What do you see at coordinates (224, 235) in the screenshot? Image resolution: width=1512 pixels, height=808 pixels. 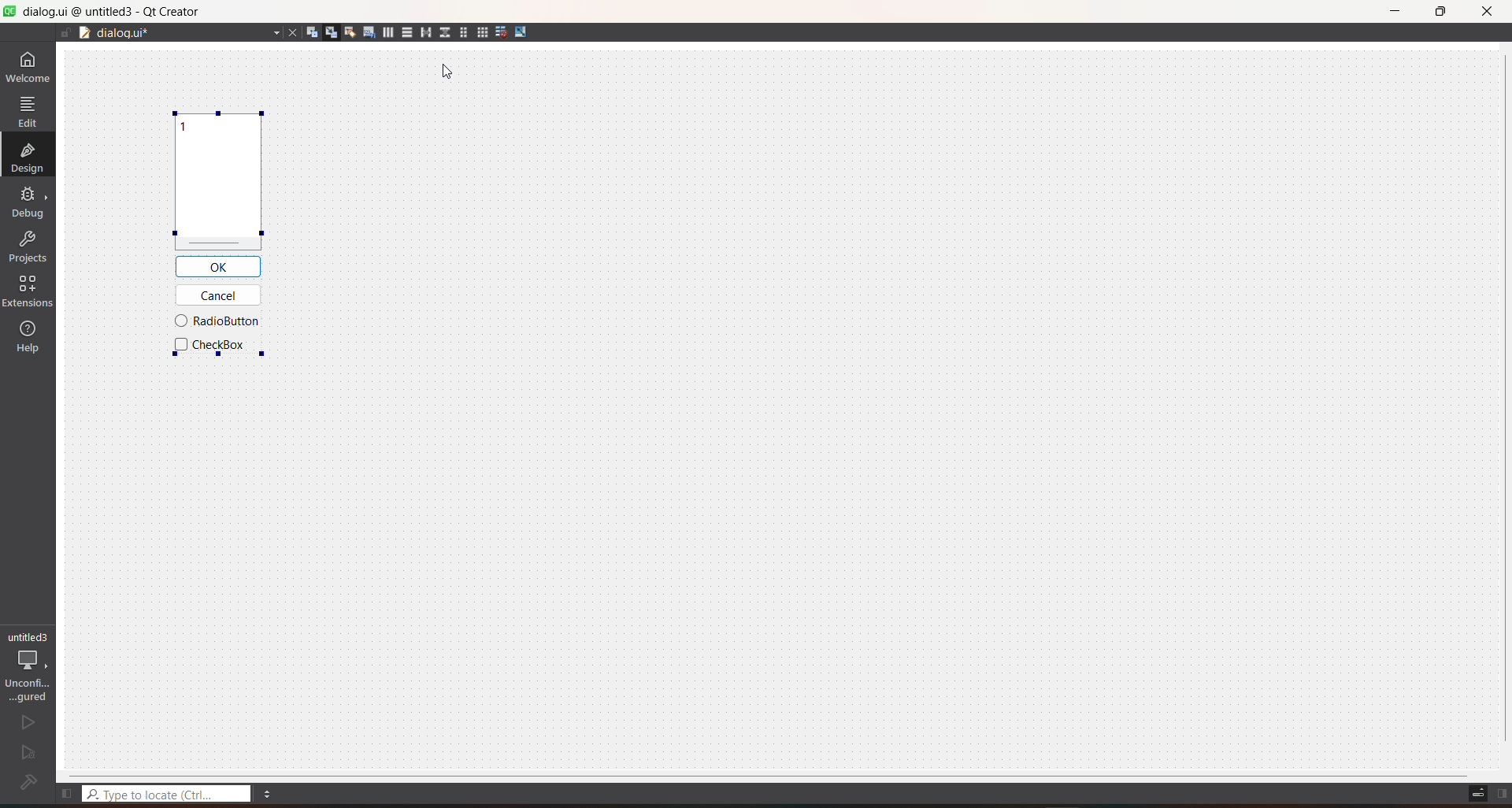 I see `Aligned using QSplitter ` at bounding box center [224, 235].